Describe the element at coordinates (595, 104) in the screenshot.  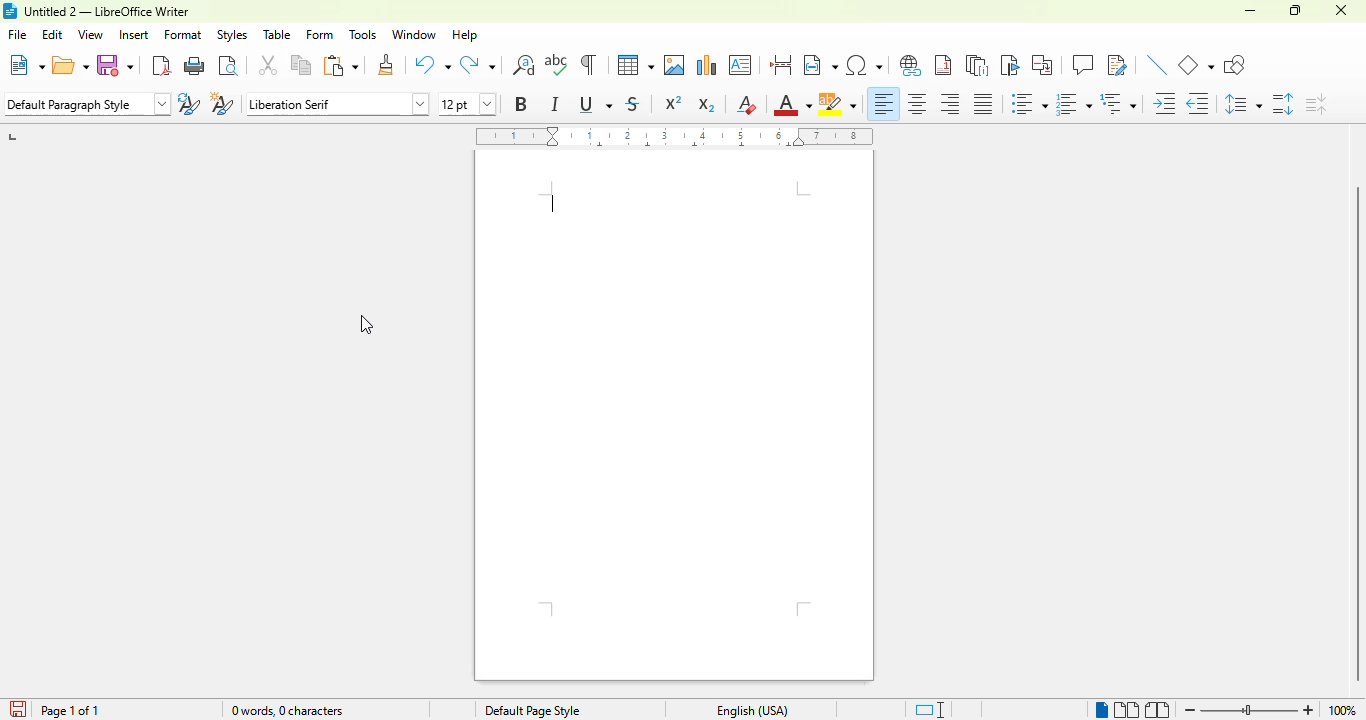
I see `underline` at that location.